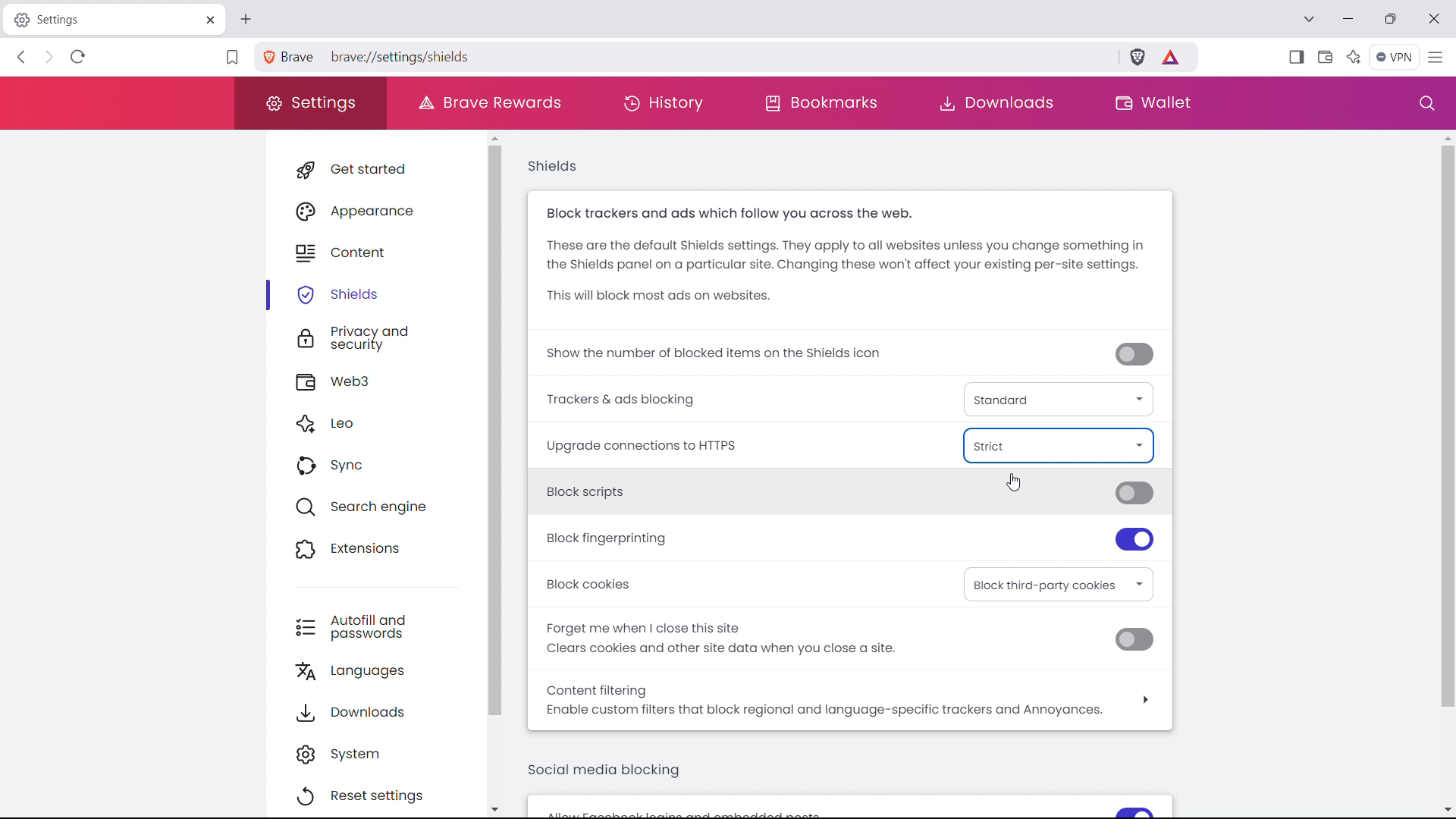  What do you see at coordinates (246, 20) in the screenshot?
I see `open new tab` at bounding box center [246, 20].